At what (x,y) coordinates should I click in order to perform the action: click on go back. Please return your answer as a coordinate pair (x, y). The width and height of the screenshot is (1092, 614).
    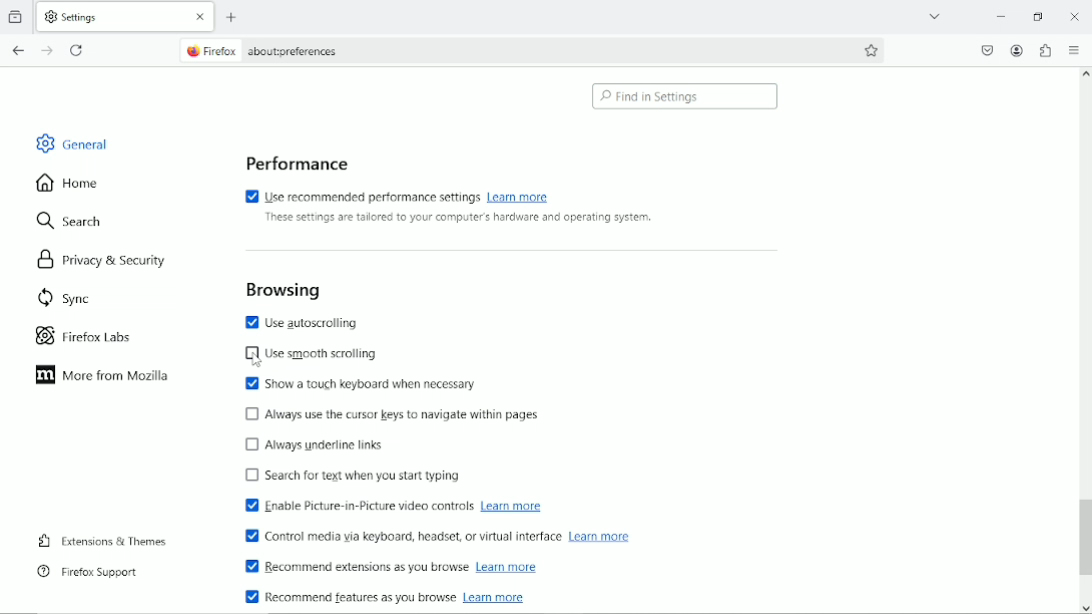
    Looking at the image, I should click on (17, 49).